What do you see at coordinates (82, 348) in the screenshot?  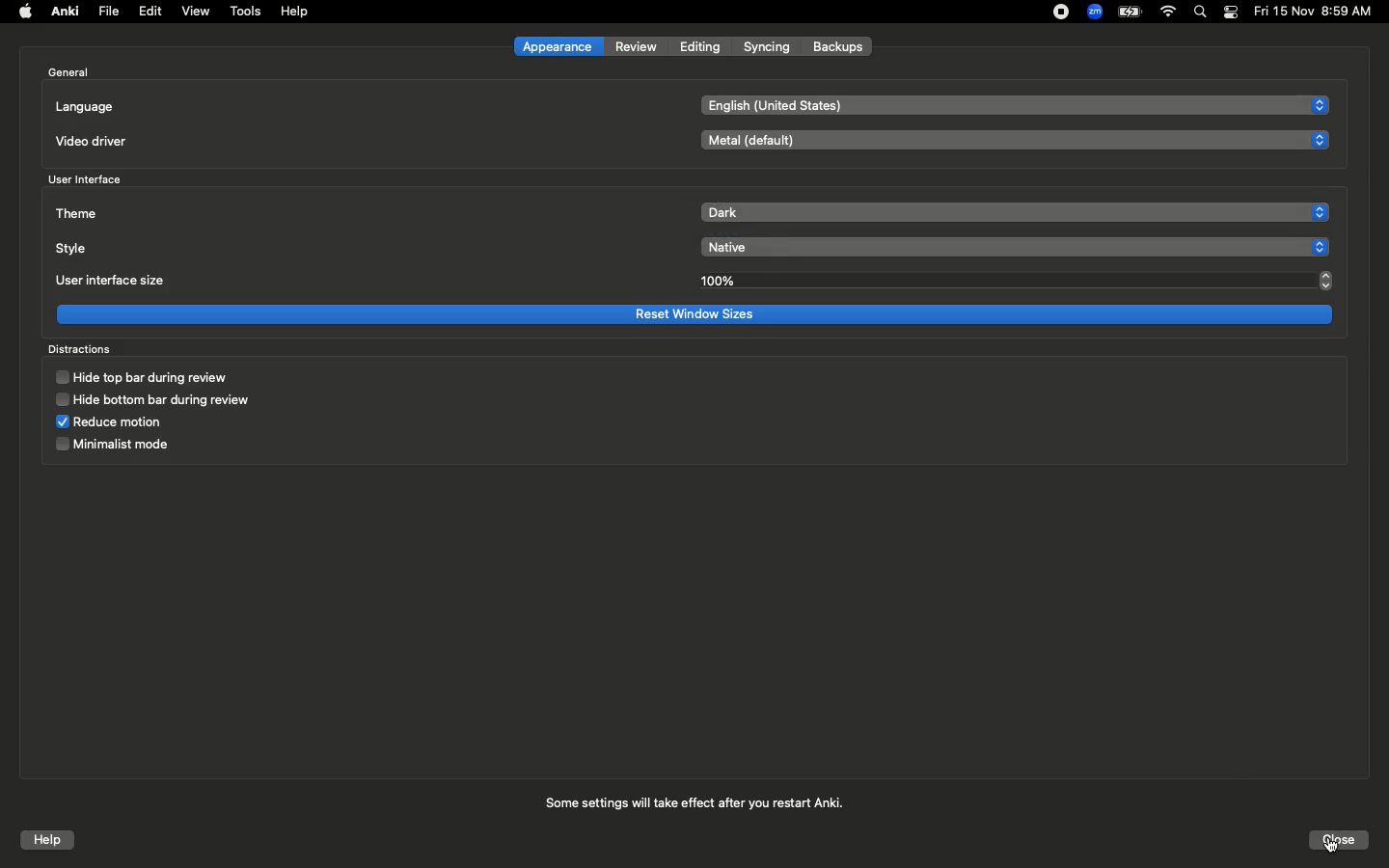 I see `Distractions` at bounding box center [82, 348].